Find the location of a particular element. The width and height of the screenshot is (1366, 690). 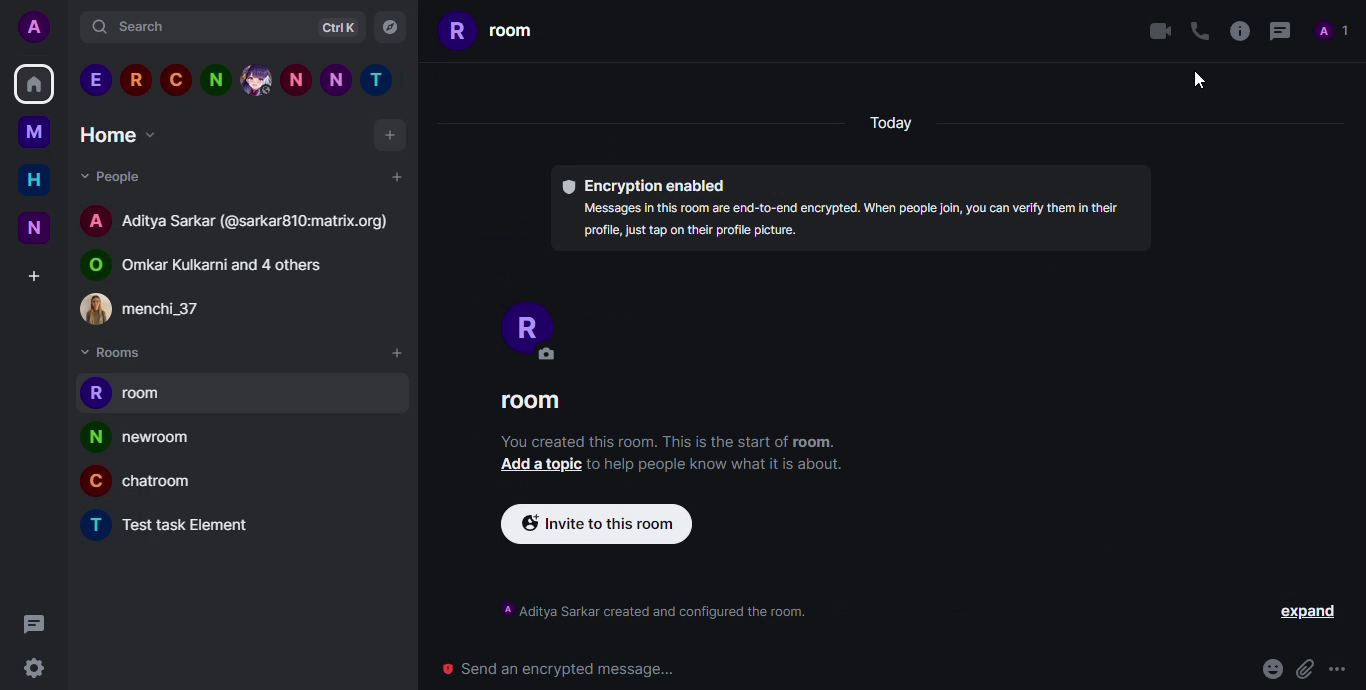

voice call is located at coordinates (1197, 30).